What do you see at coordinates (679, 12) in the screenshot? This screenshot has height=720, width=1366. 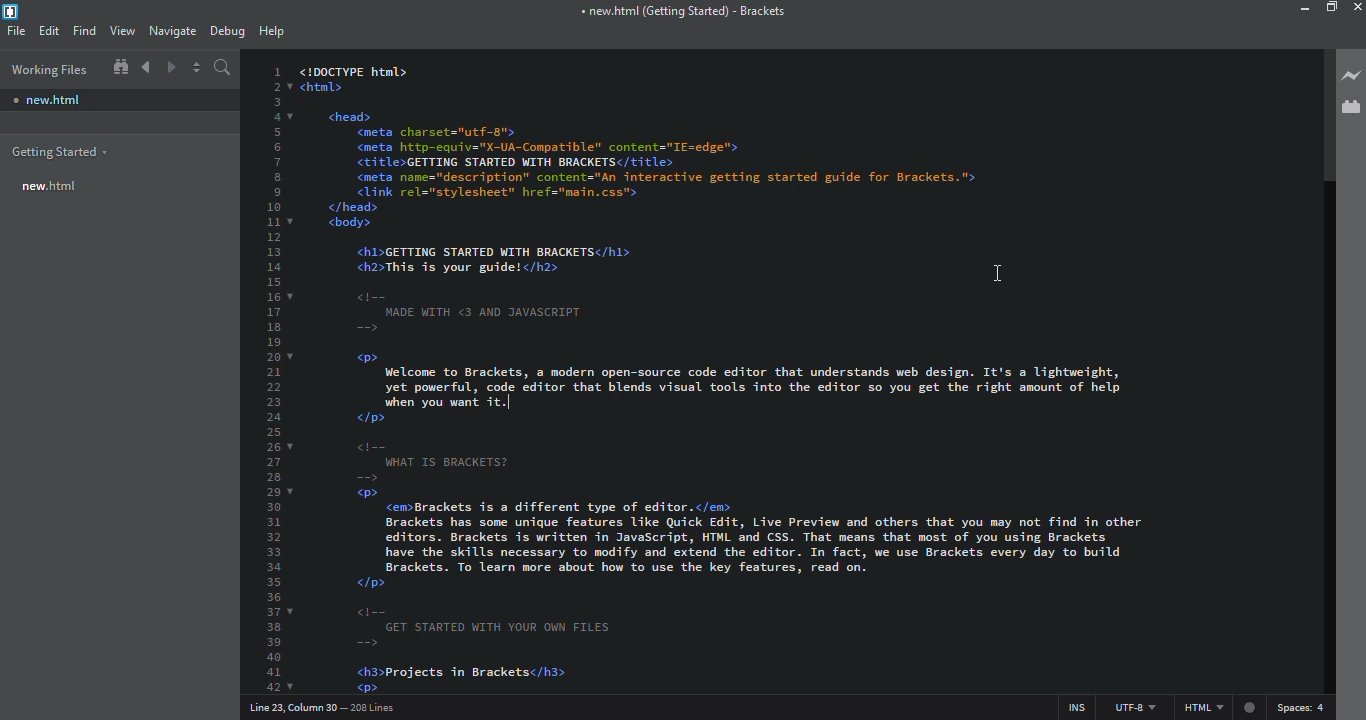 I see `brackets` at bounding box center [679, 12].